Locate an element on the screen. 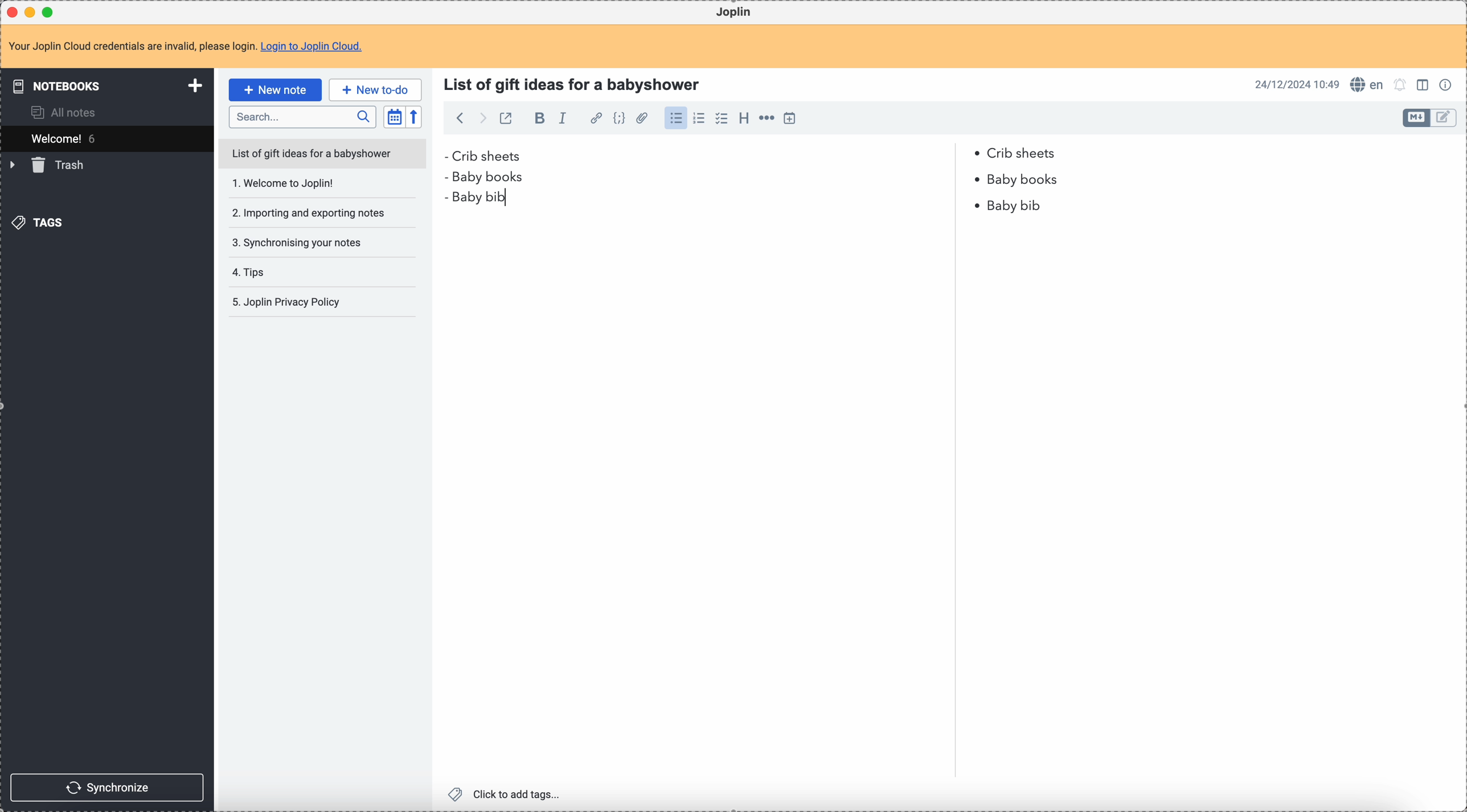 The width and height of the screenshot is (1467, 812). synchronising your notes is located at coordinates (306, 243).